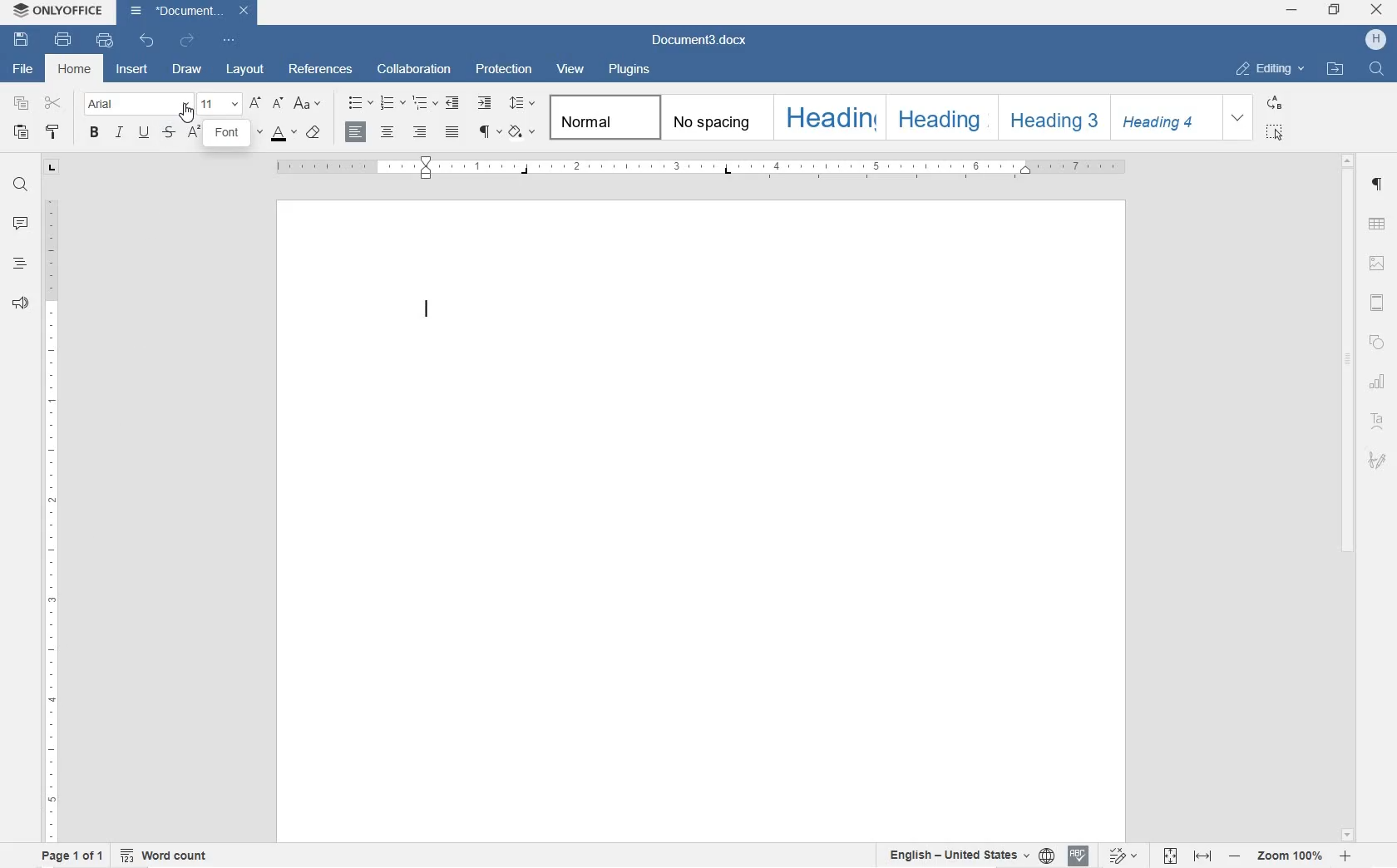  I want to click on ONLYOFFICE, so click(60, 11).